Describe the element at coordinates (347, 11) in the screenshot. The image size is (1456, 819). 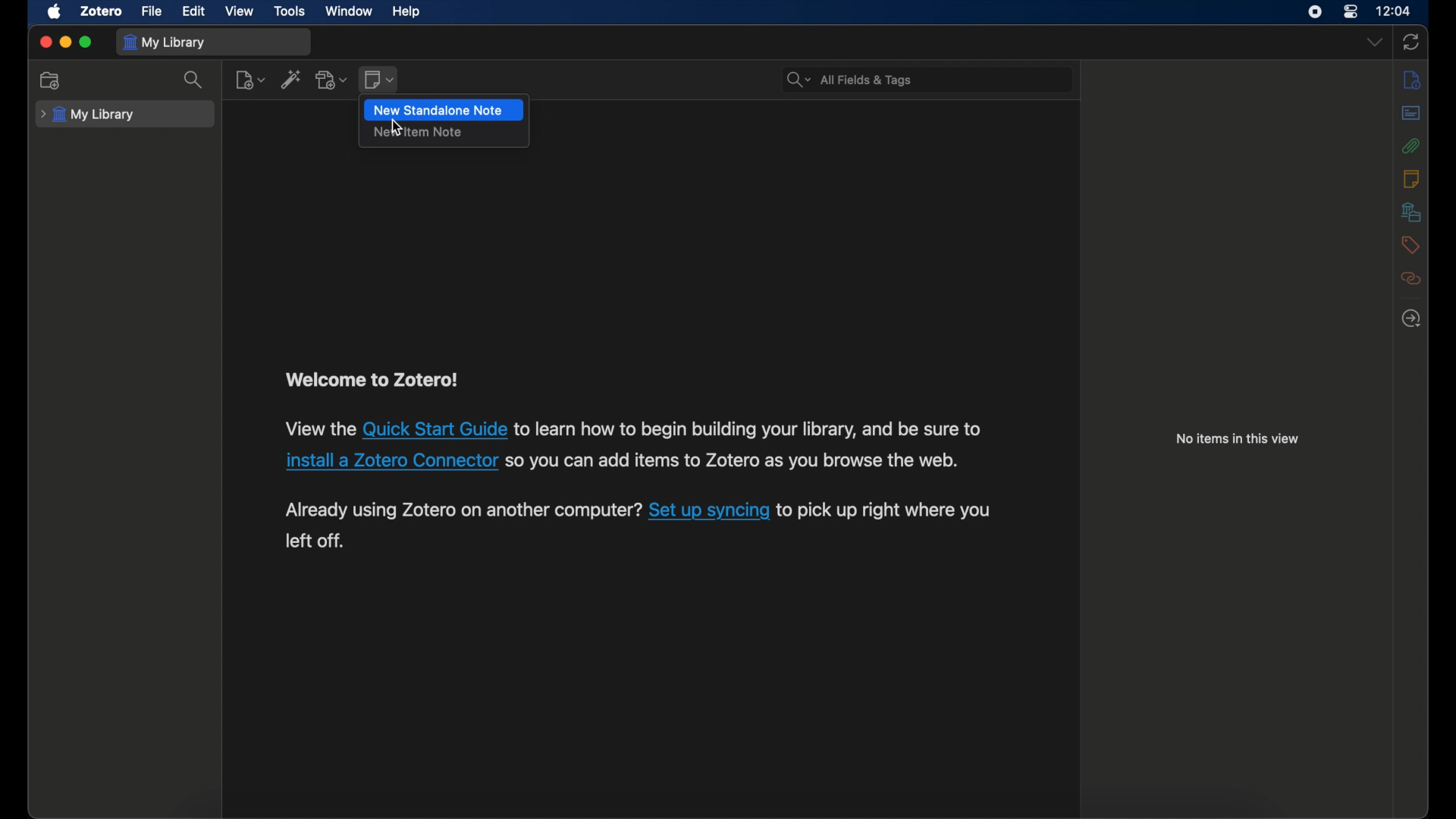
I see `window` at that location.